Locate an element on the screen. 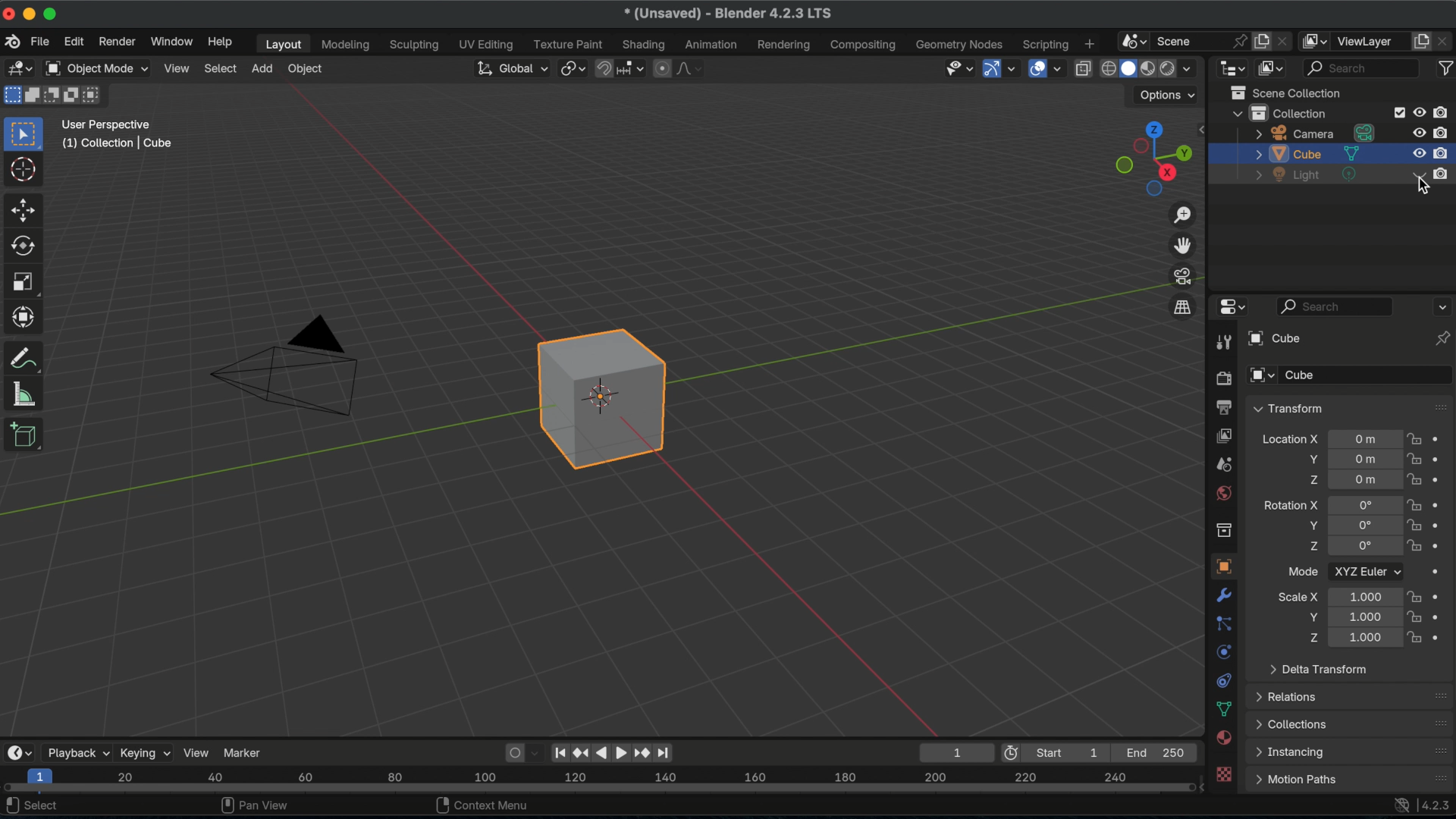 Image resolution: width=1456 pixels, height=819 pixels. play is located at coordinates (610, 753).